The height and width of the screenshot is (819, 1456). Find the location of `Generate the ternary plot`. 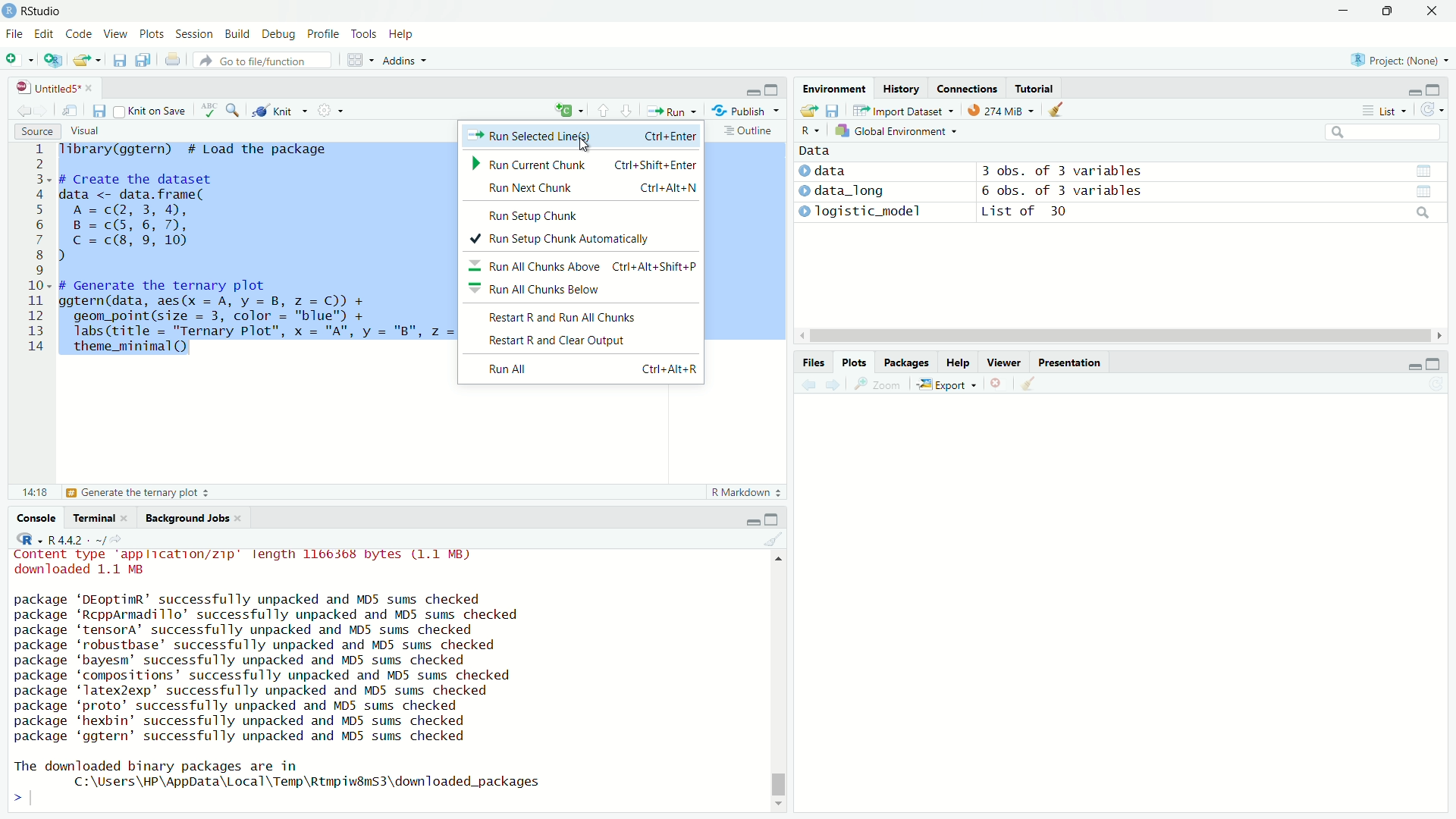

Generate the ternary plot is located at coordinates (139, 493).